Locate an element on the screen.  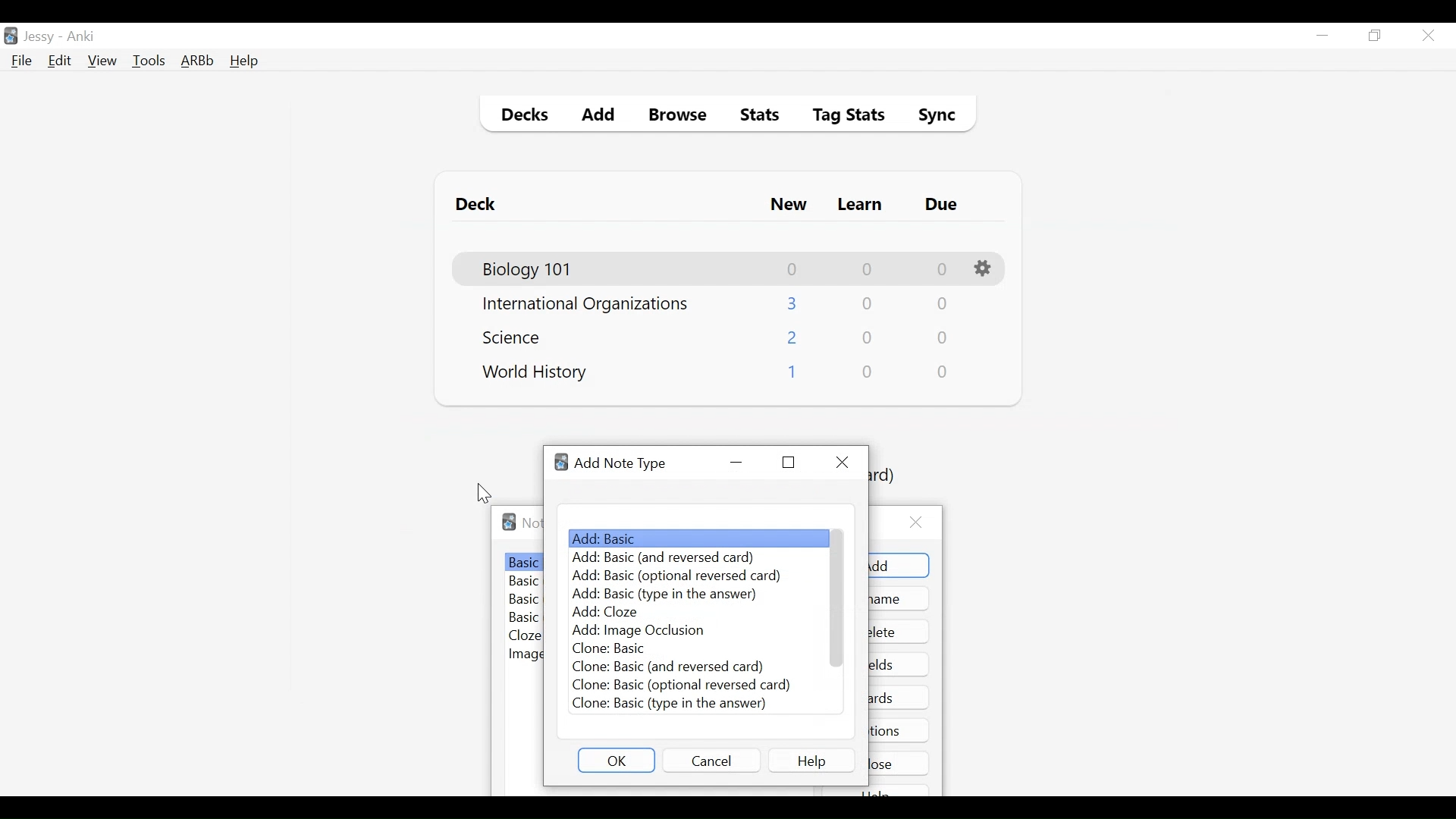
Deck Name is located at coordinates (585, 305).